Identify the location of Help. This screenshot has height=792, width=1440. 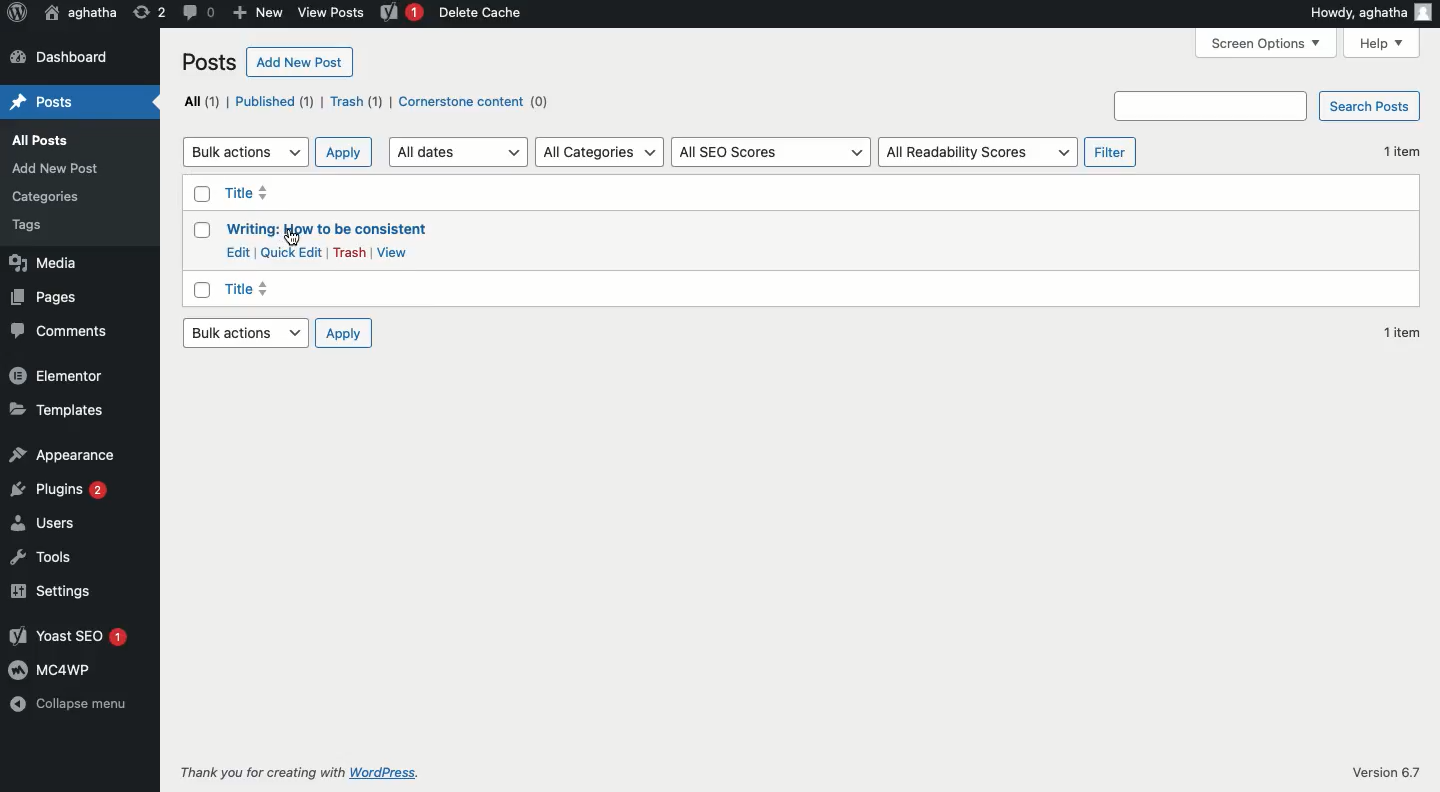
(1383, 42).